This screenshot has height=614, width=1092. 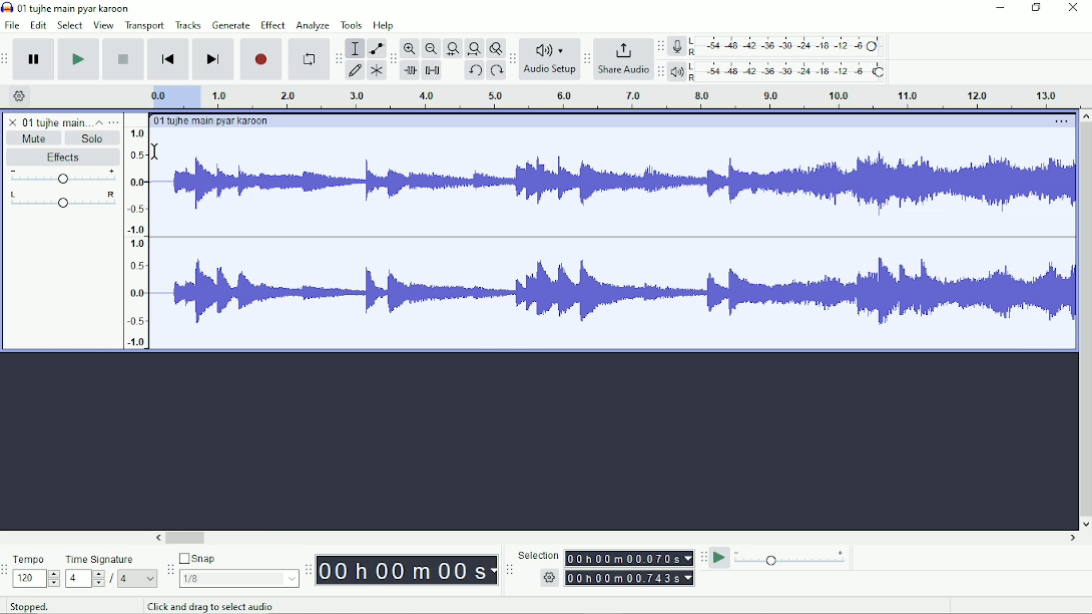 I want to click on 01 tujhe main pyar karoon, so click(x=215, y=121).